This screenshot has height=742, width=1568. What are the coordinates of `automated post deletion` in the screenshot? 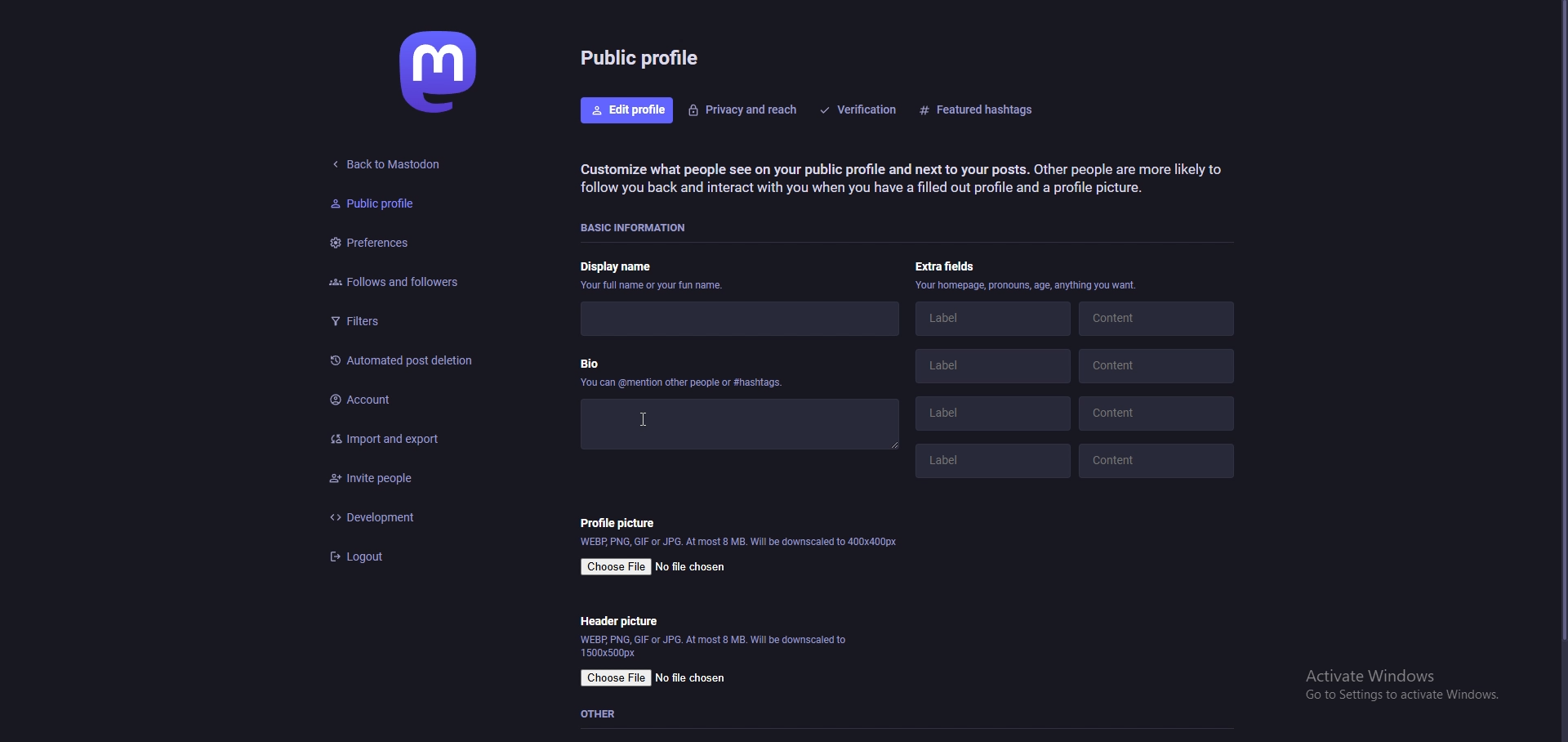 It's located at (413, 362).